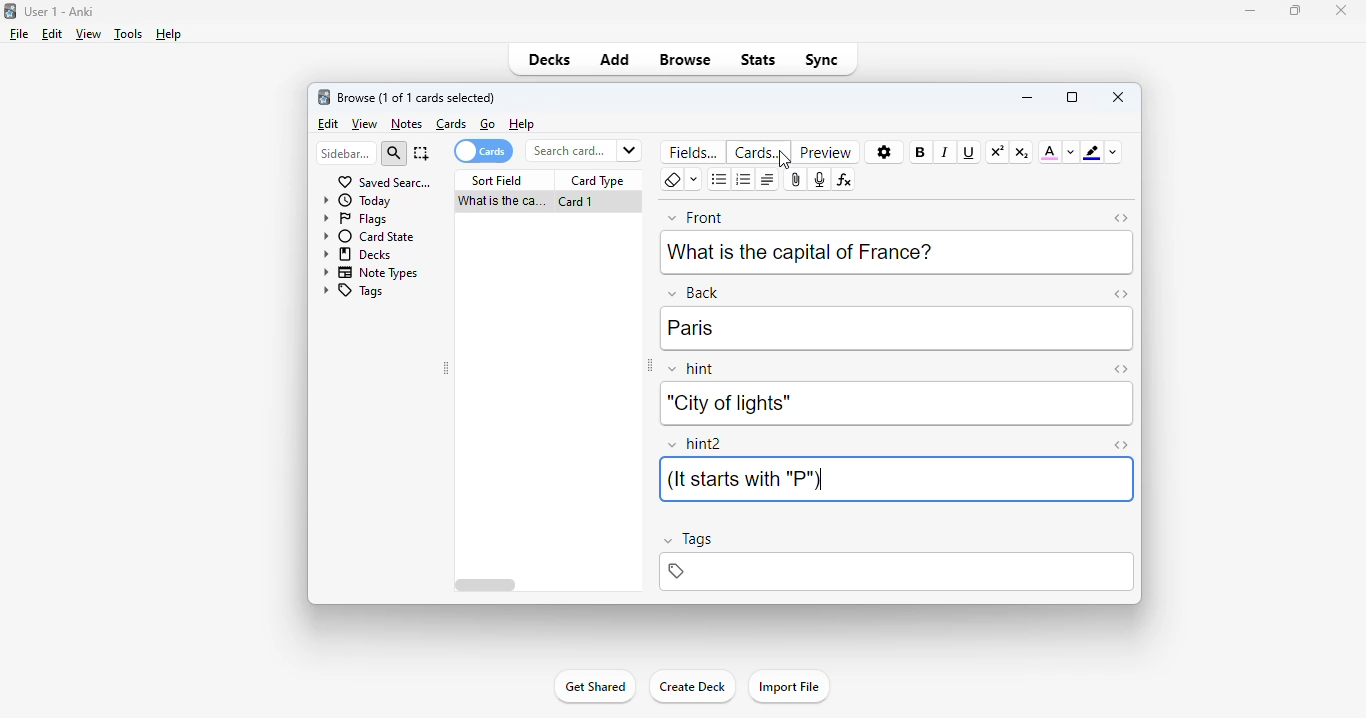 The width and height of the screenshot is (1366, 718). Describe the element at coordinates (720, 180) in the screenshot. I see `unordered list` at that location.